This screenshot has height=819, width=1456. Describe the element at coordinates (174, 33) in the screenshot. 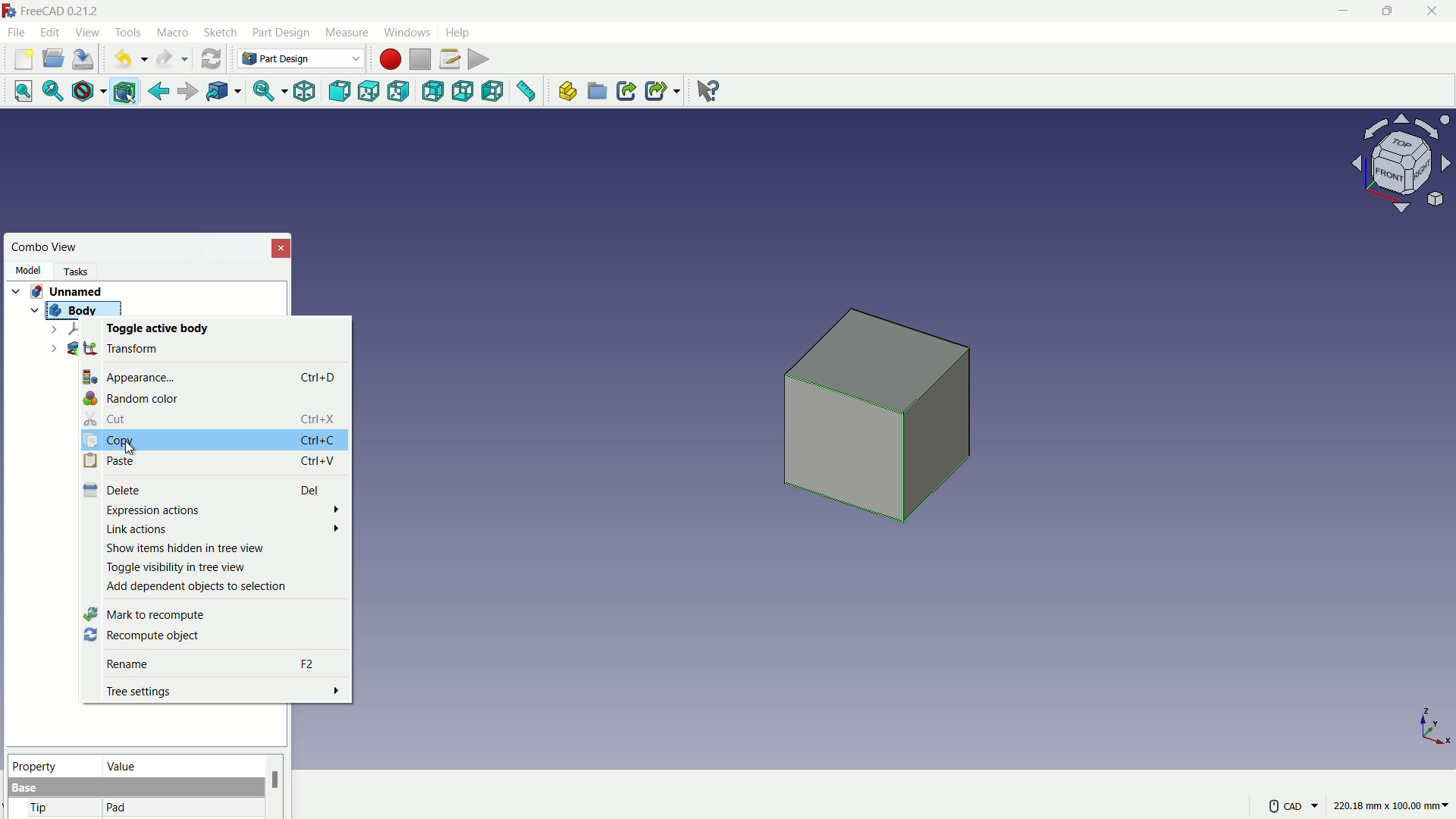

I see `macro` at that location.